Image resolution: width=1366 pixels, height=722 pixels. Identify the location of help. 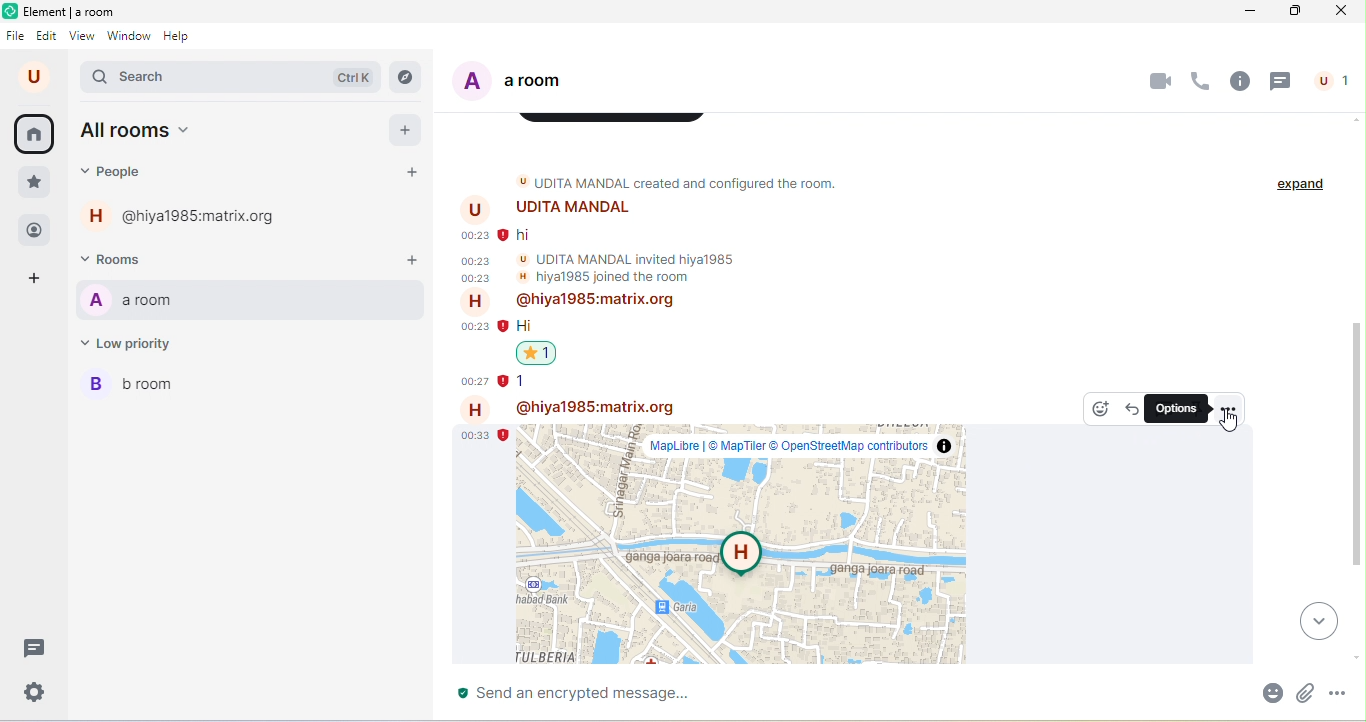
(182, 37).